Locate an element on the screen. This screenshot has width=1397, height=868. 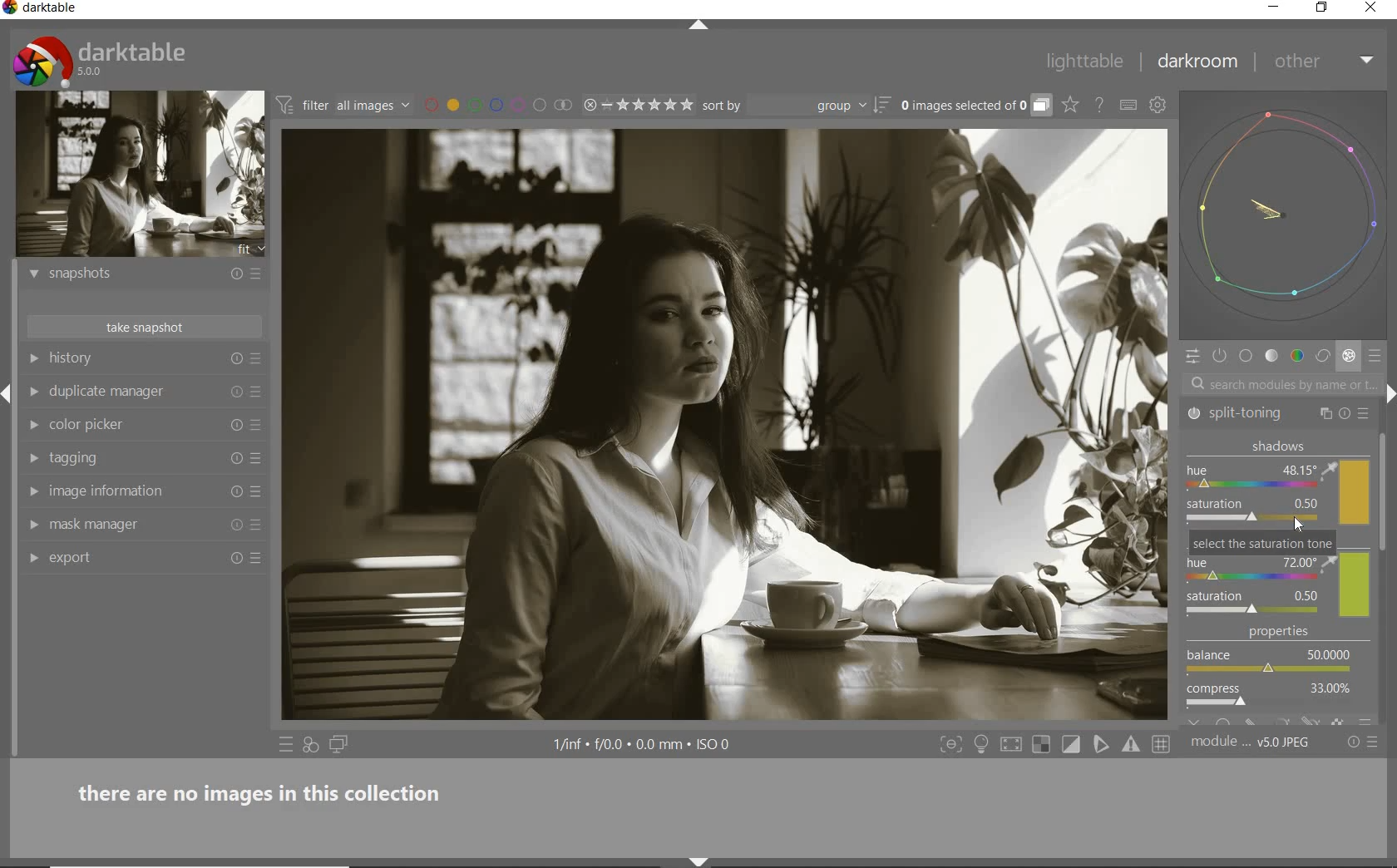
click to change the type of overlay shown on thumbnails is located at coordinates (1071, 106).